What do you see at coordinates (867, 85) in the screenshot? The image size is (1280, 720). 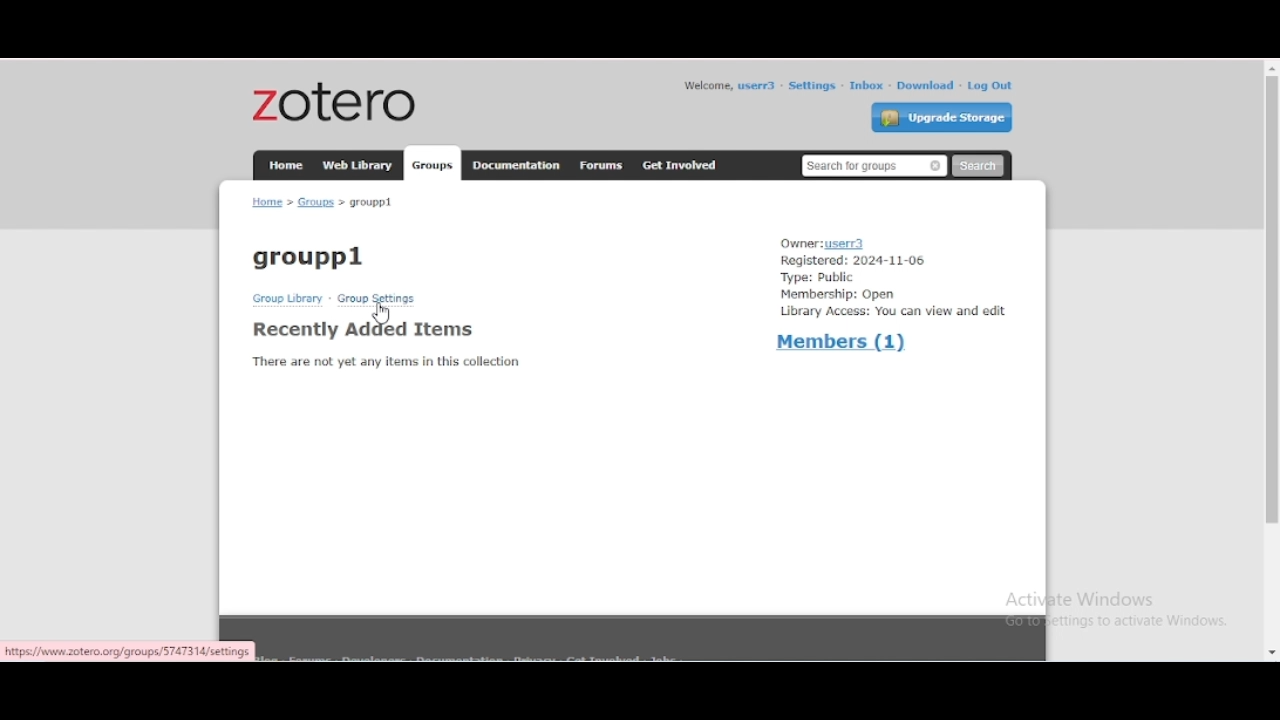 I see `inbox` at bounding box center [867, 85].